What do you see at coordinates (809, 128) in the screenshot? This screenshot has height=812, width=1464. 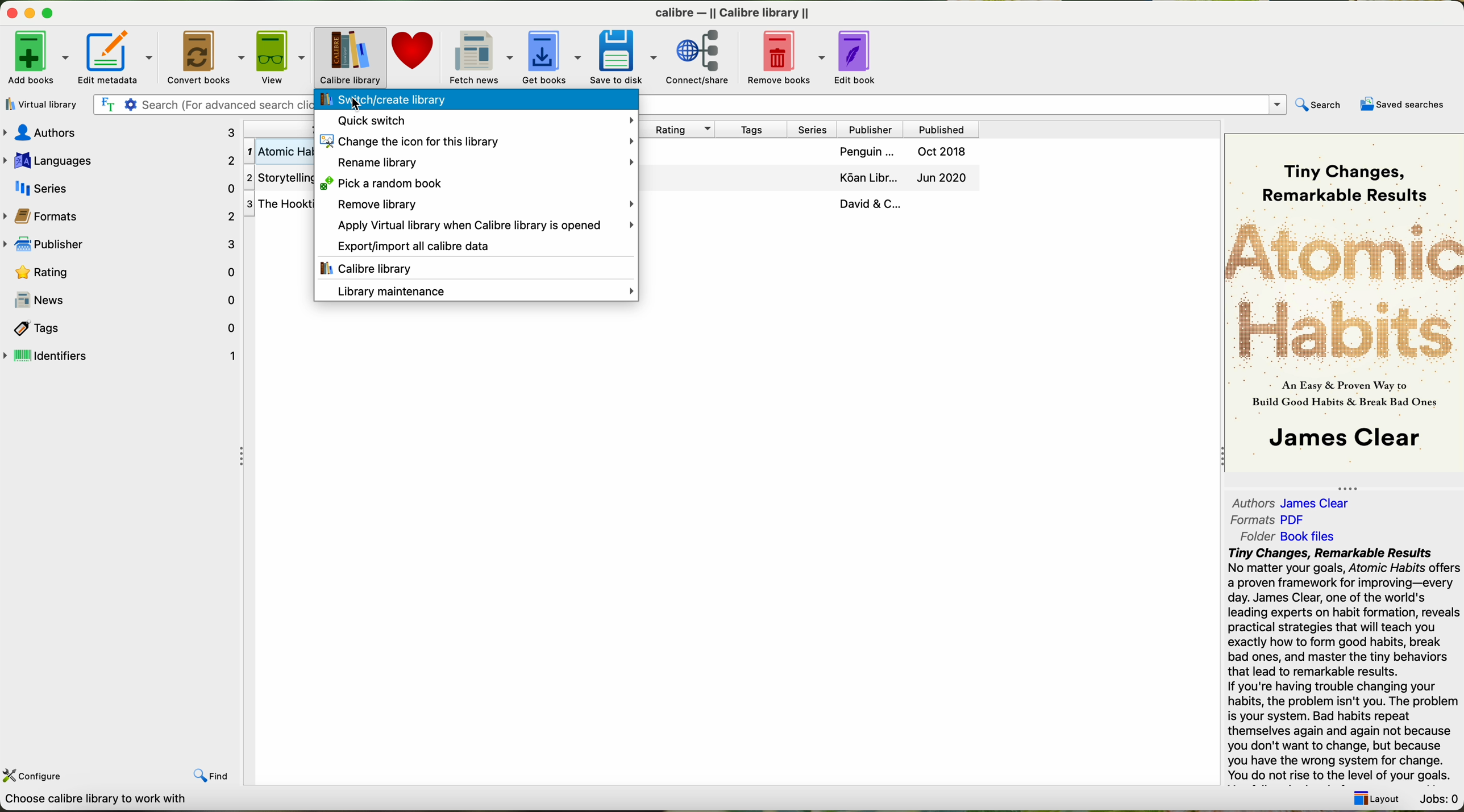 I see `series` at bounding box center [809, 128].